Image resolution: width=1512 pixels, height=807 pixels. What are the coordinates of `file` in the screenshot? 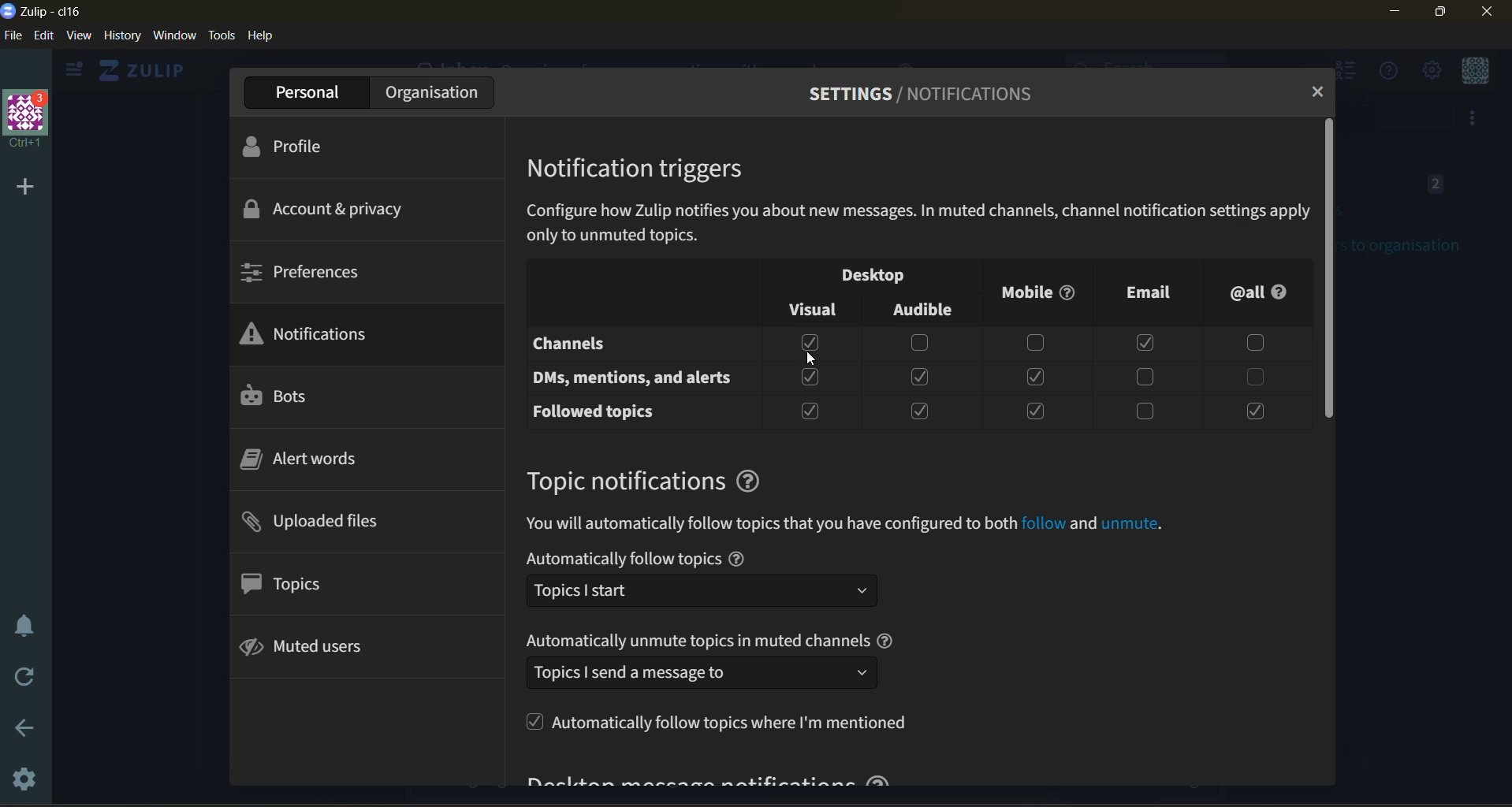 It's located at (13, 35).